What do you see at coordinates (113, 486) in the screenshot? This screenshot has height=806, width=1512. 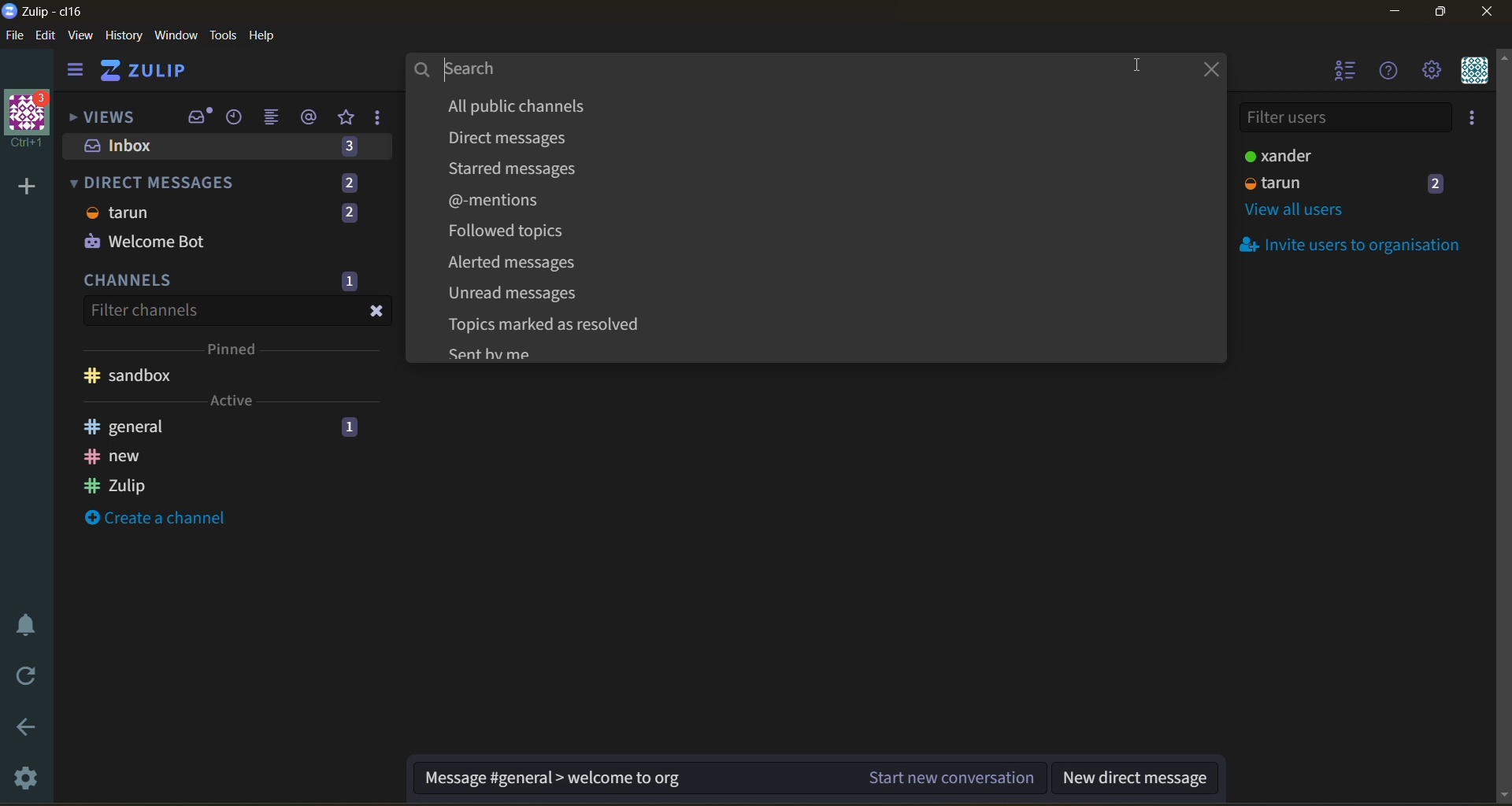 I see `# Zulip` at bounding box center [113, 486].